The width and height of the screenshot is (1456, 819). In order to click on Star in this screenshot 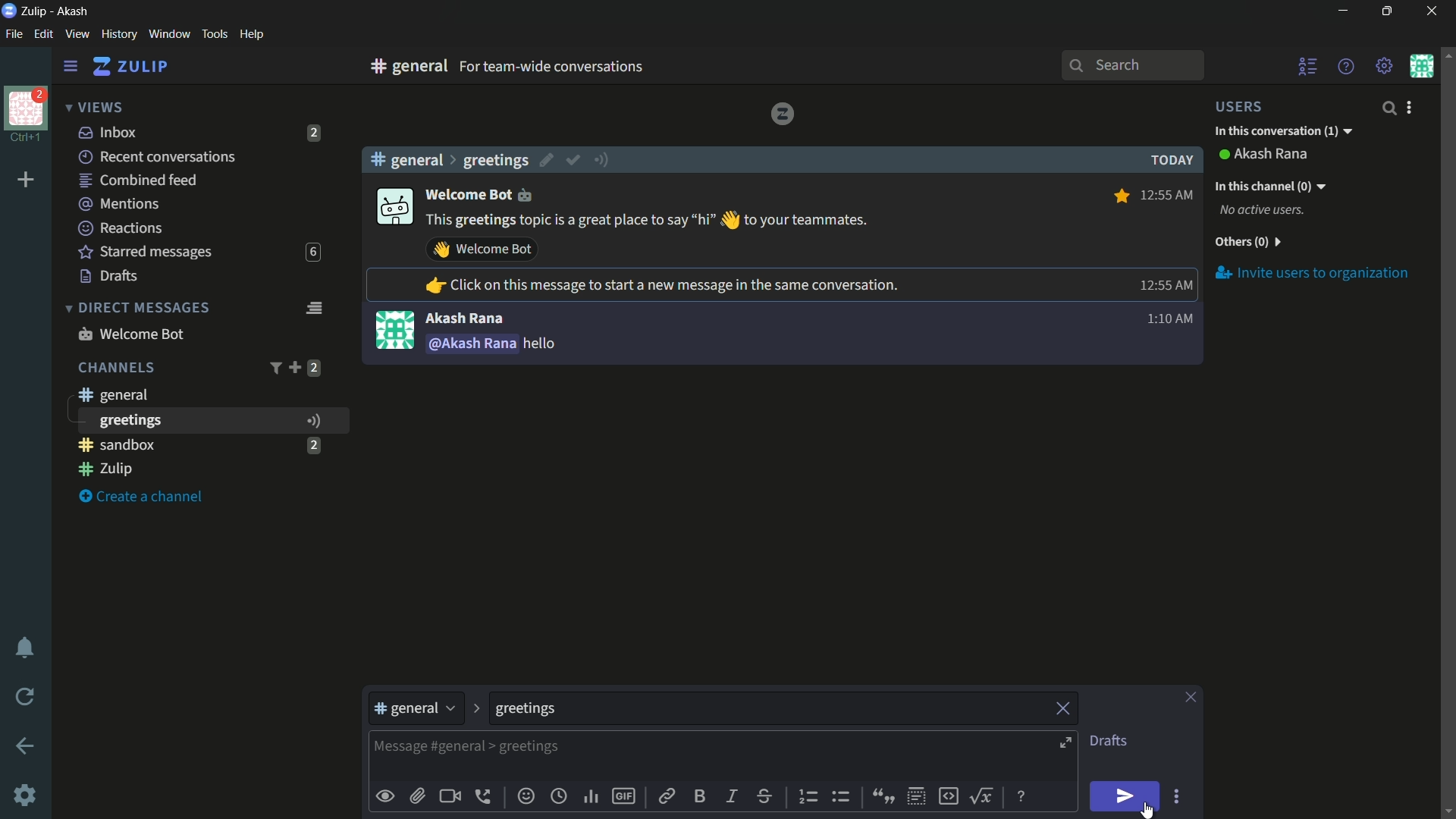, I will do `click(1119, 196)`.